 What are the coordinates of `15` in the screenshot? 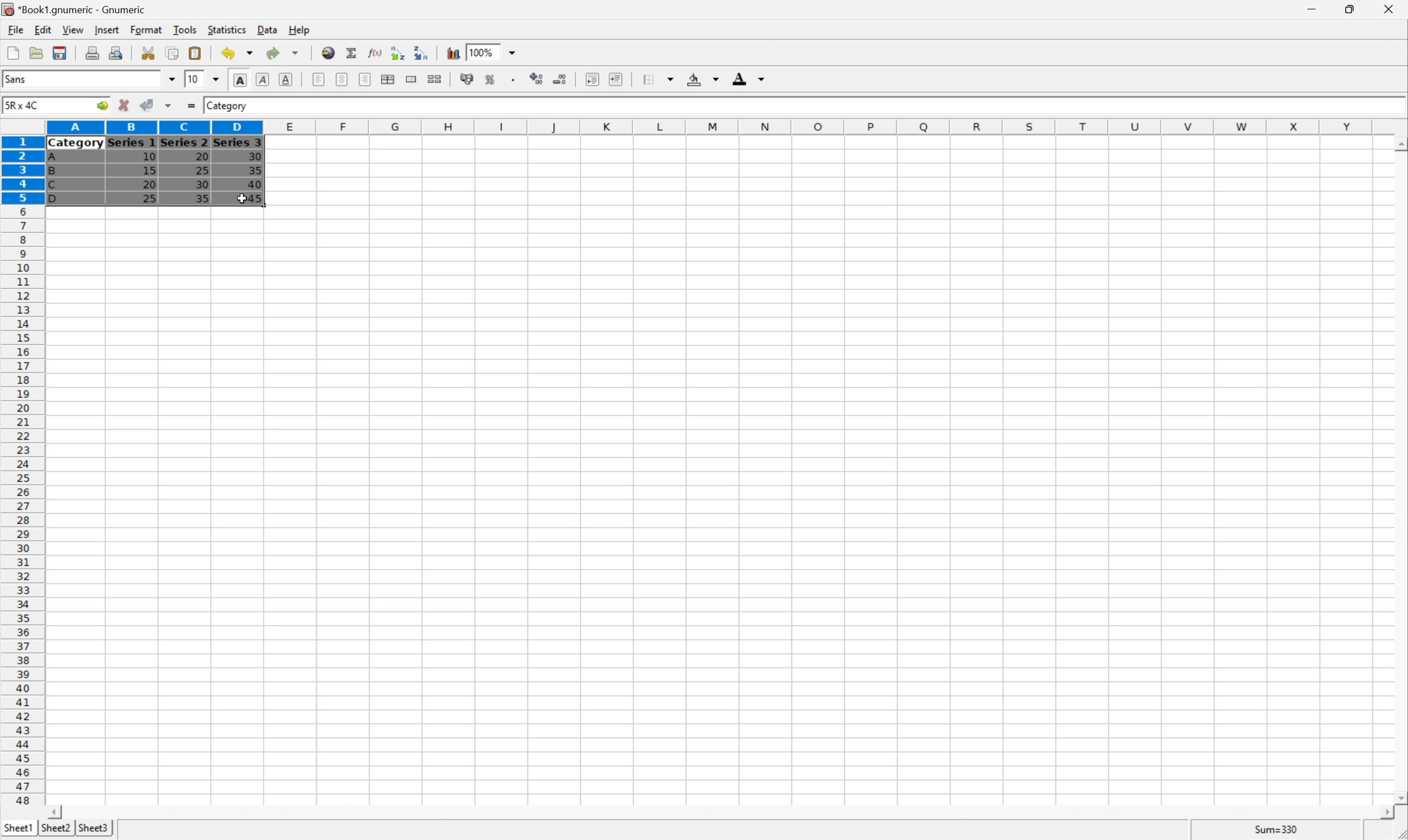 It's located at (149, 170).